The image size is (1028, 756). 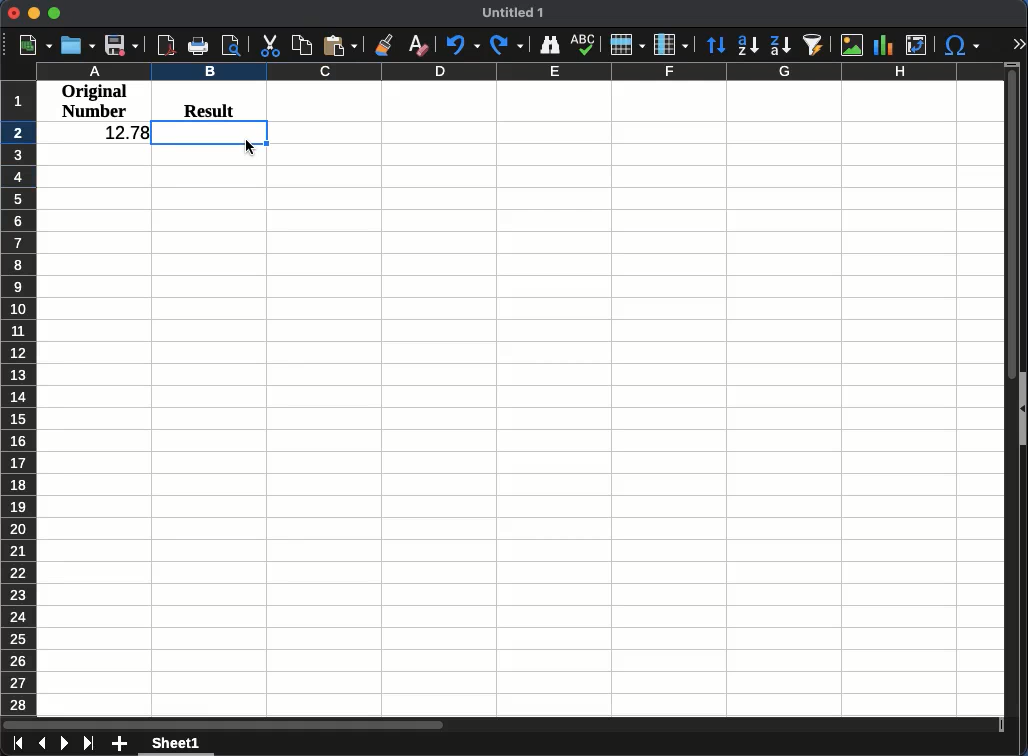 I want to click on expand, so click(x=1018, y=44).